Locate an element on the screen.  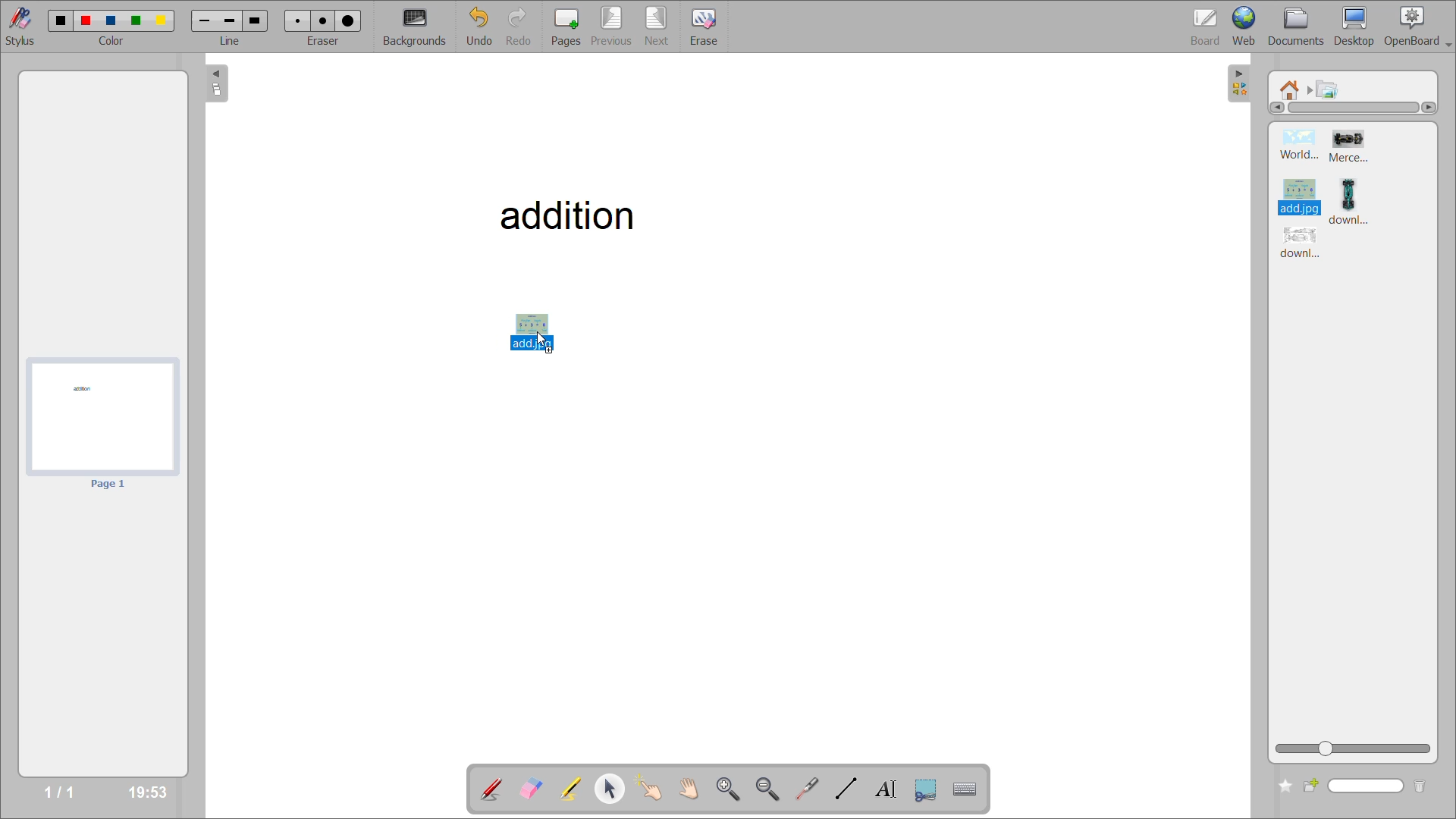
openboard is located at coordinates (1420, 27).